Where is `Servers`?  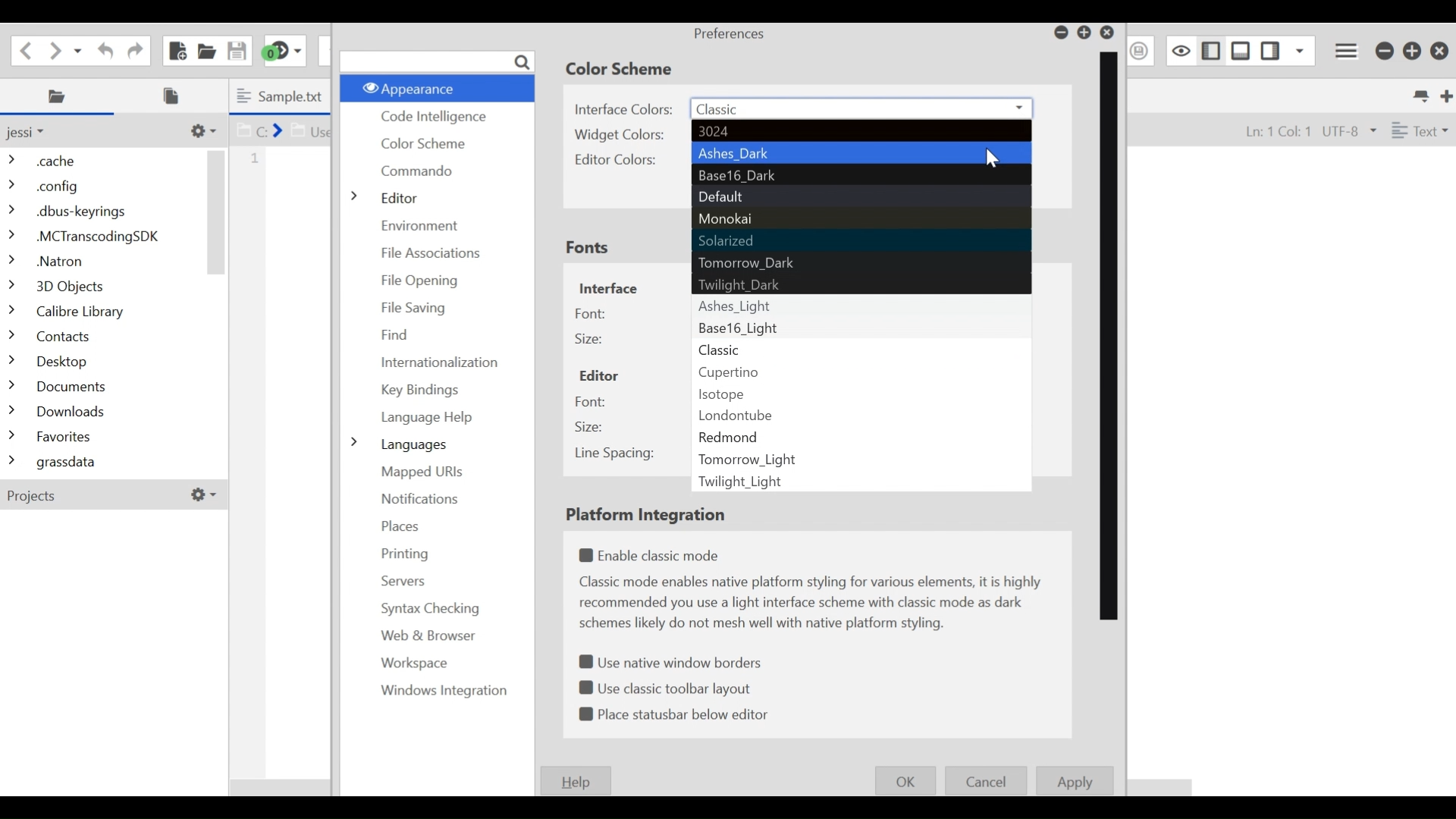 Servers is located at coordinates (402, 580).